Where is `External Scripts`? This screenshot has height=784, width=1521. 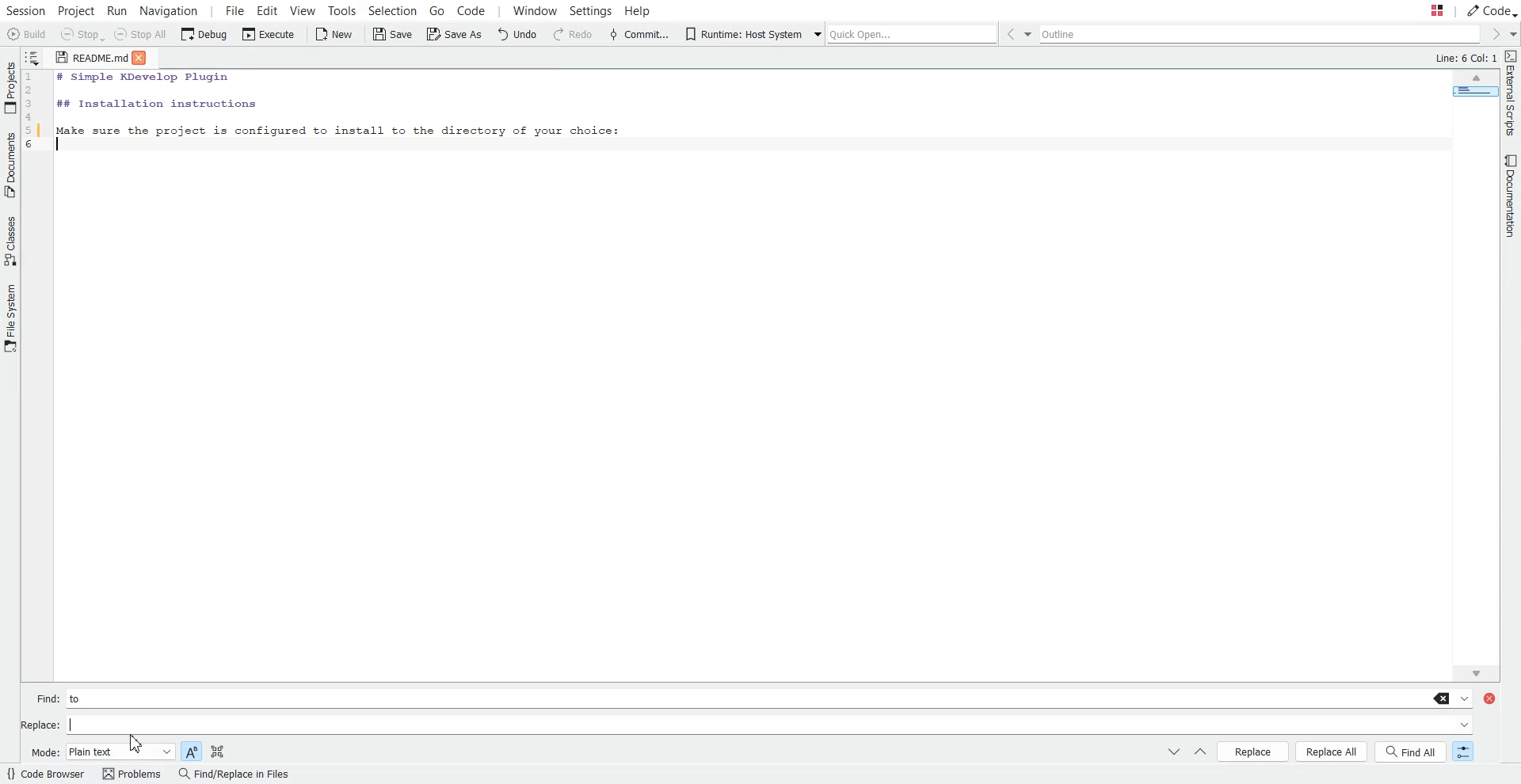 External Scripts is located at coordinates (1511, 93).